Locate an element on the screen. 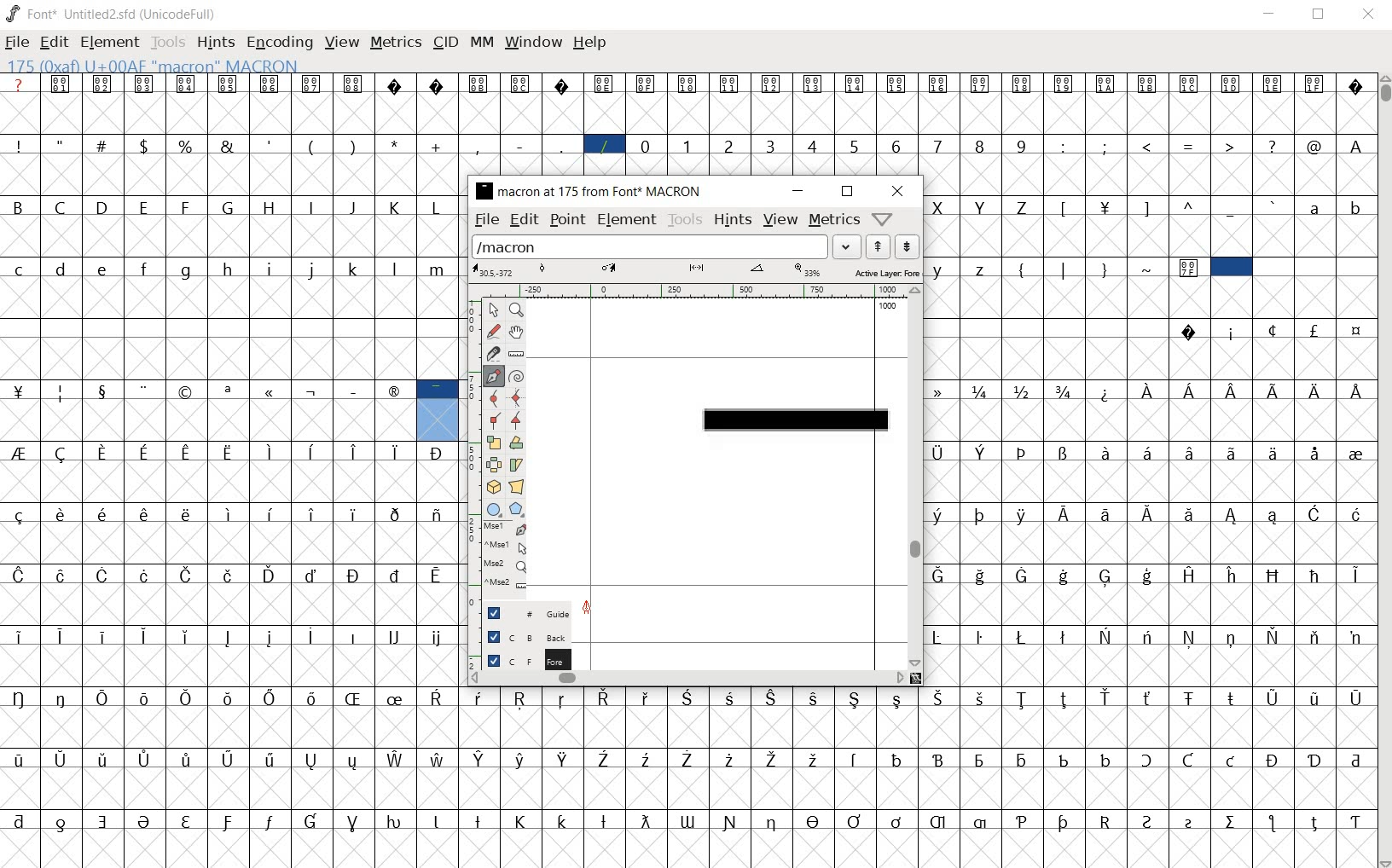  Symbol is located at coordinates (1354, 576).